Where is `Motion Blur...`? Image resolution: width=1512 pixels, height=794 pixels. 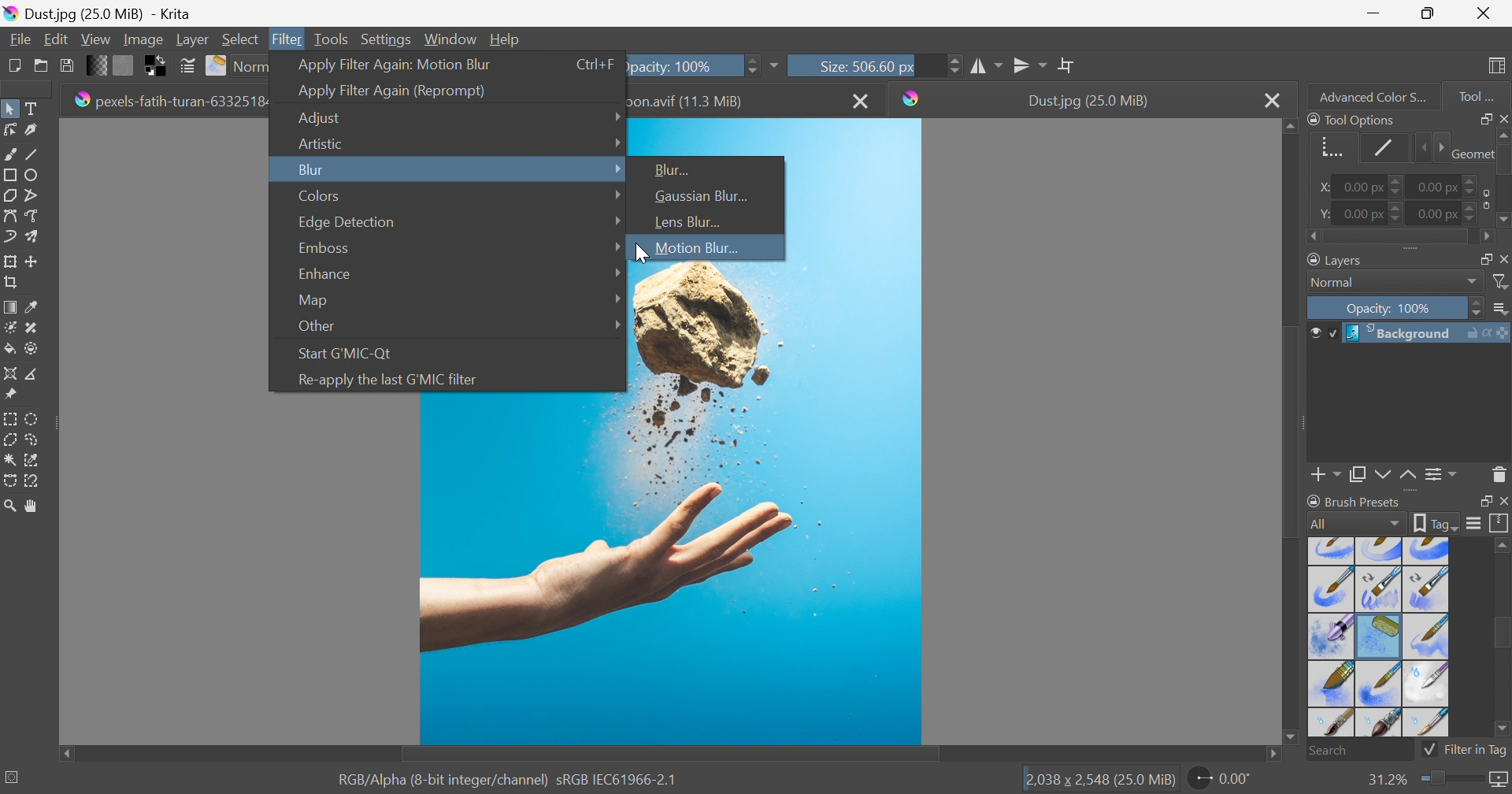
Motion Blur... is located at coordinates (695, 248).